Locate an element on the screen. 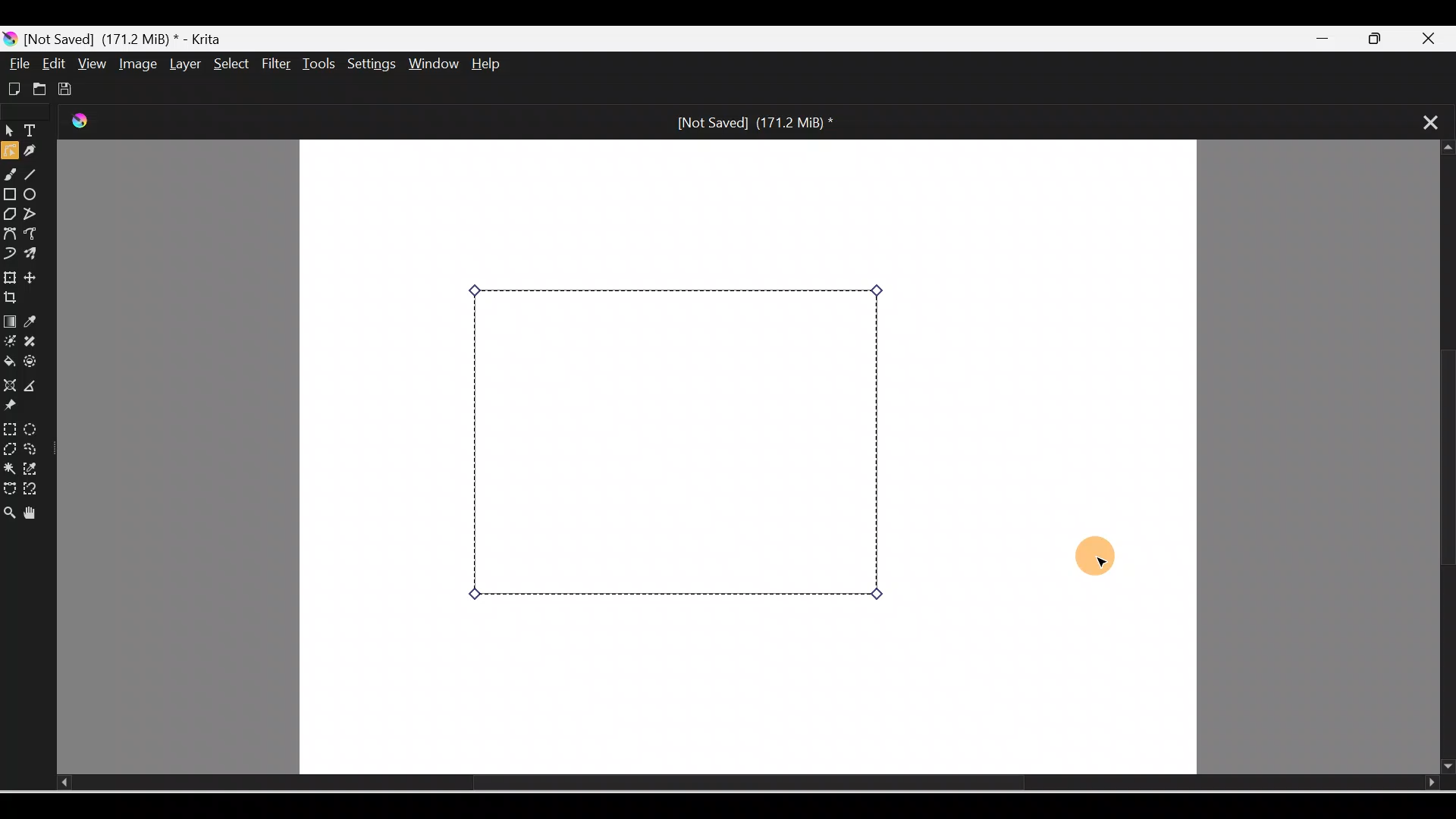 The width and height of the screenshot is (1456, 819). Move a layer is located at coordinates (37, 278).